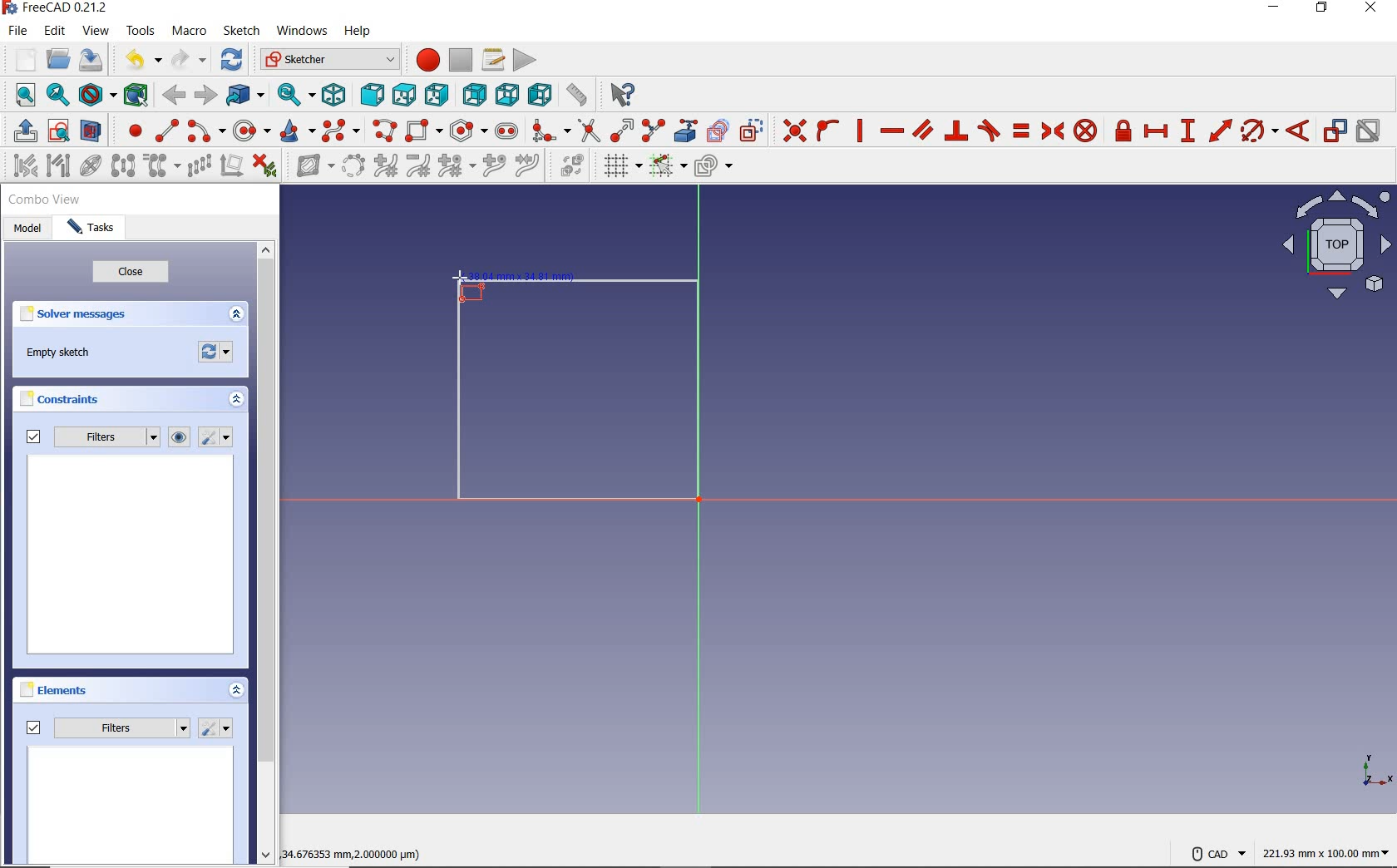 Image resolution: width=1397 pixels, height=868 pixels. Describe the element at coordinates (1052, 131) in the screenshot. I see `constrain symmetrical` at that location.